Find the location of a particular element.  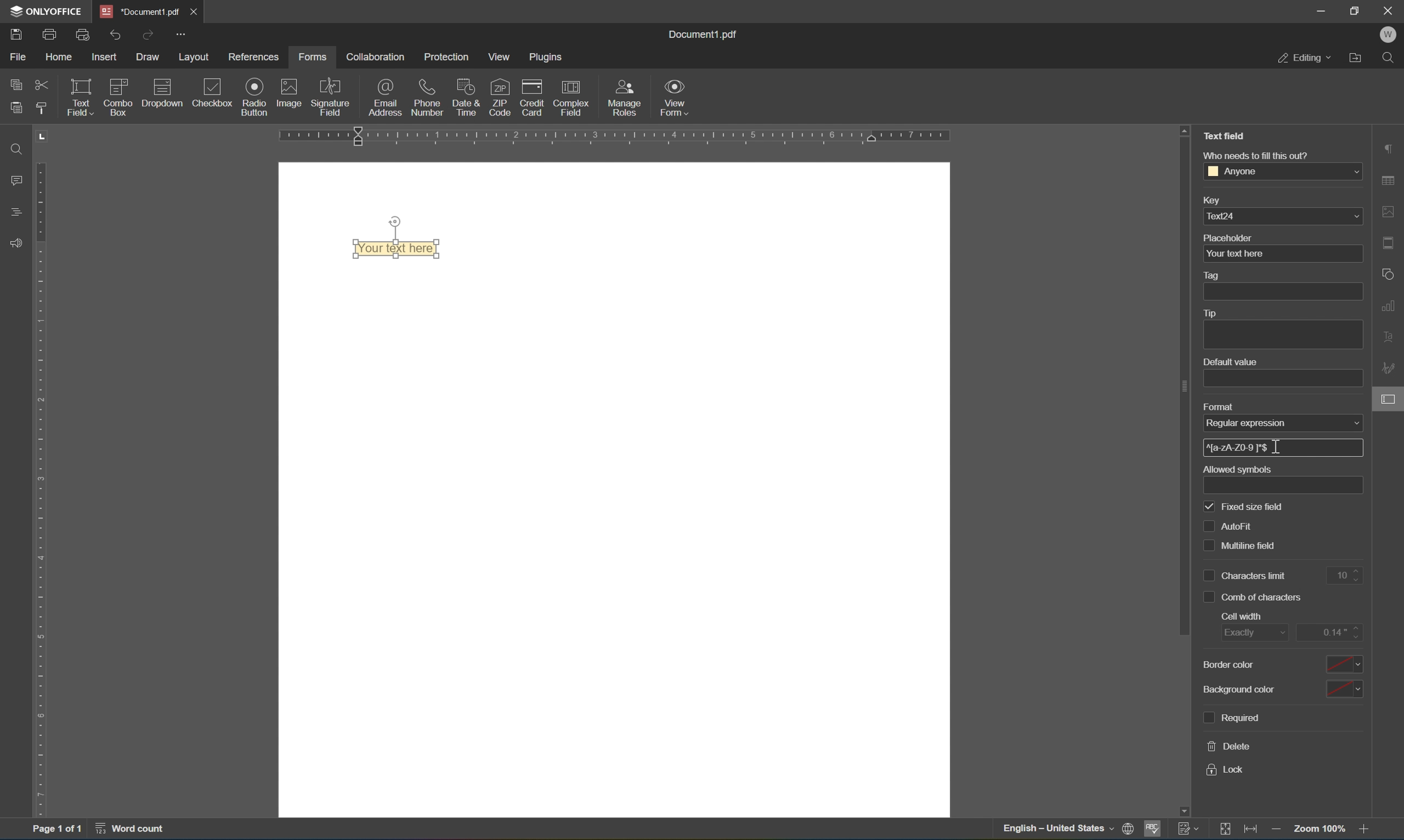

add allowed symbols is located at coordinates (1285, 486).